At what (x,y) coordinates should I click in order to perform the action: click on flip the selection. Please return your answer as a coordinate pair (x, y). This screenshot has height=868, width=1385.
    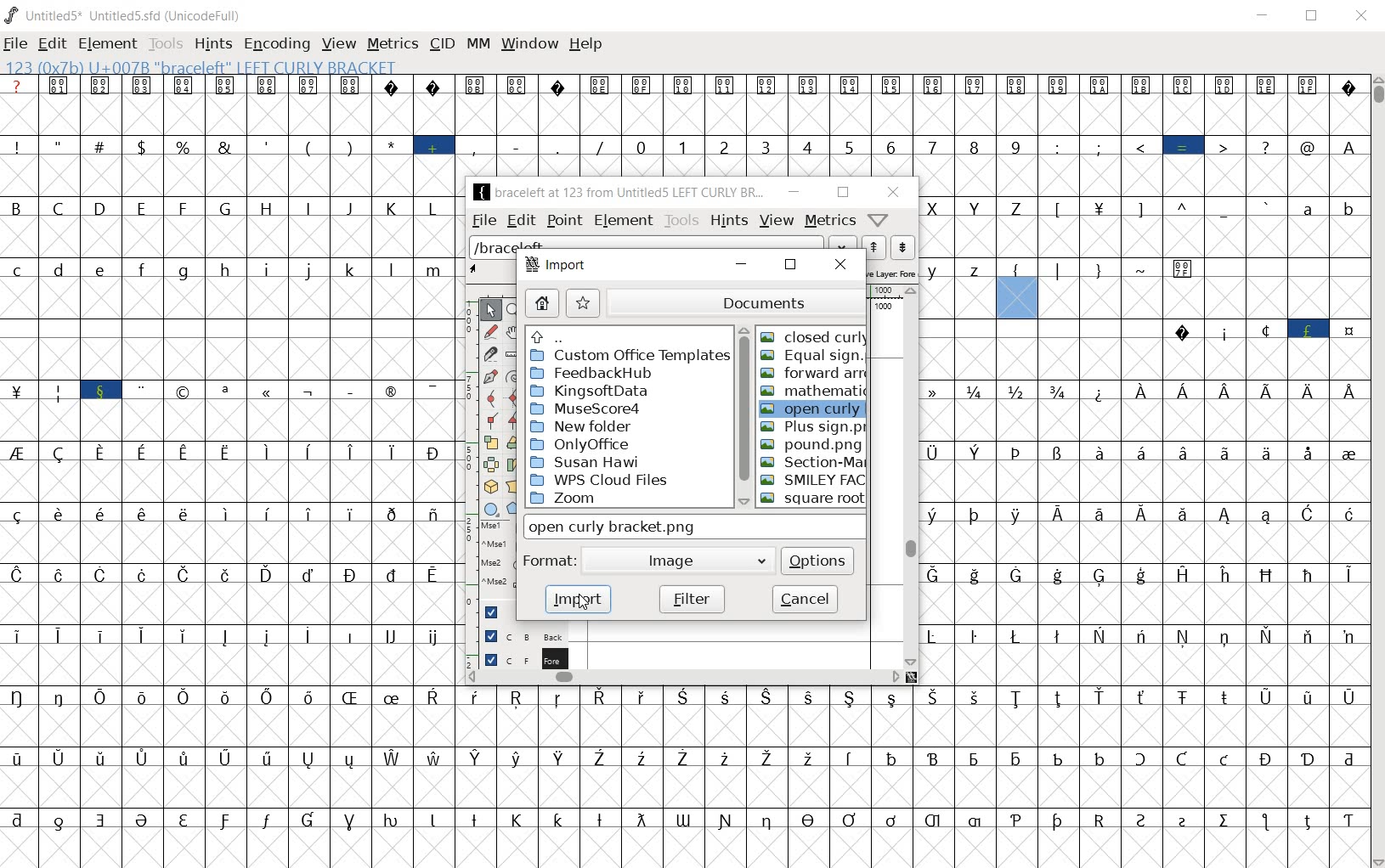
    Looking at the image, I should click on (515, 444).